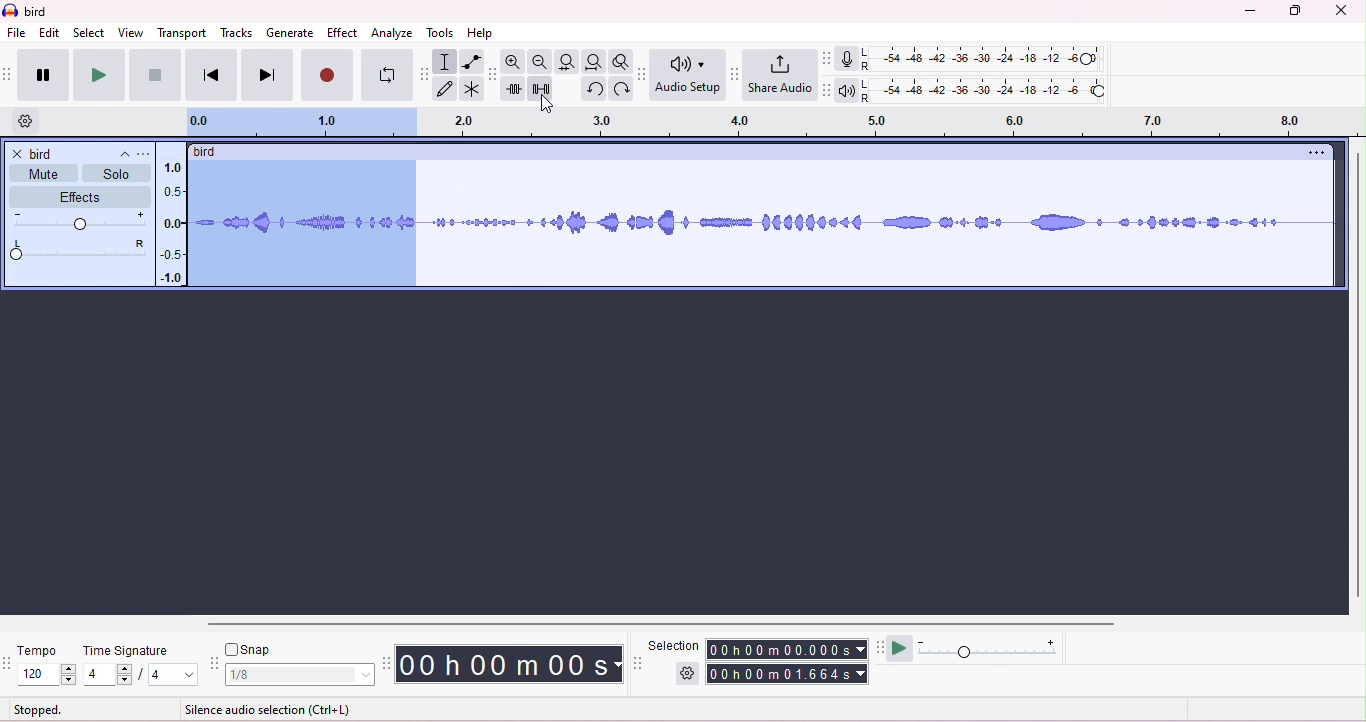  Describe the element at coordinates (515, 60) in the screenshot. I see `zoom in` at that location.